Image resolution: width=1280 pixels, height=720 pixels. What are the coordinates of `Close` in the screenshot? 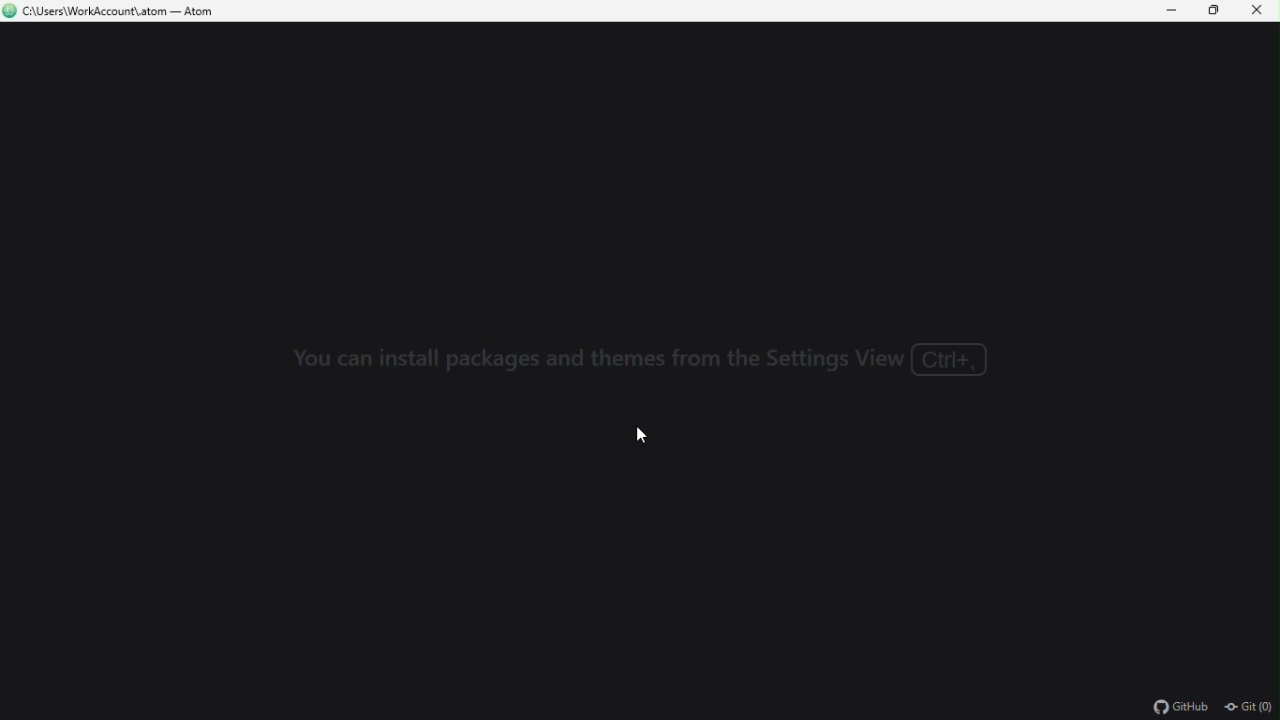 It's located at (1261, 11).